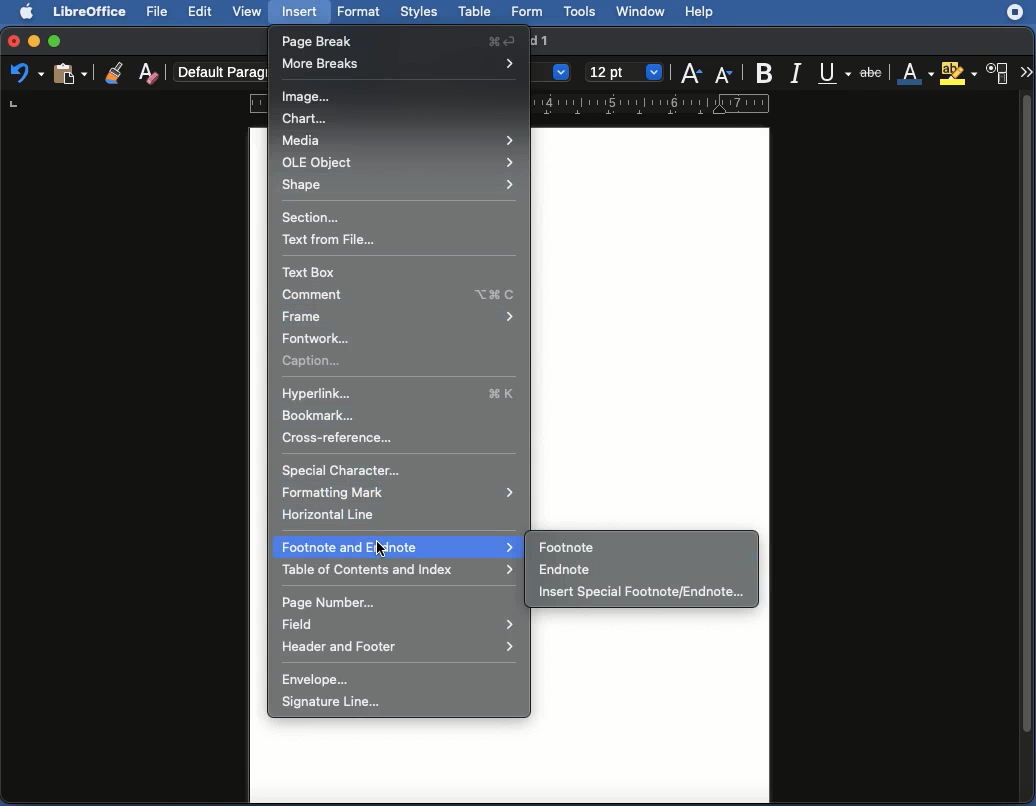 The image size is (1036, 806). What do you see at coordinates (223, 69) in the screenshot?
I see `Paragraph style` at bounding box center [223, 69].